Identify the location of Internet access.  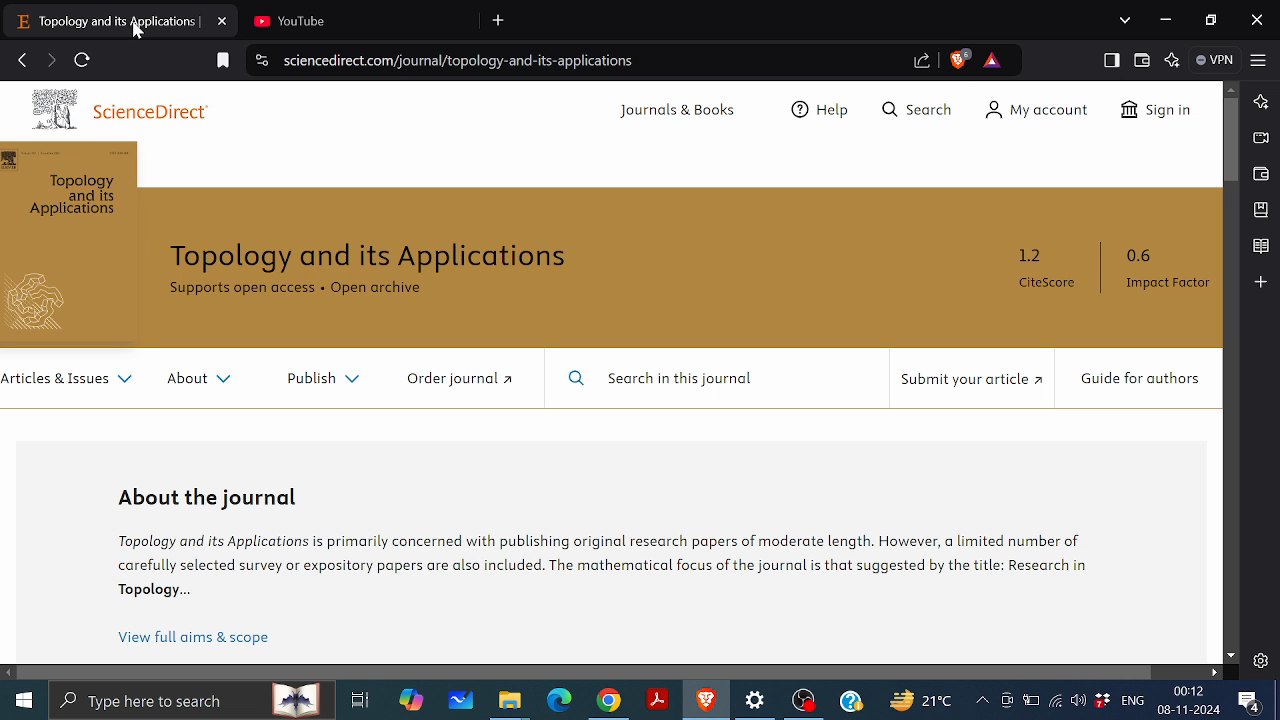
(1054, 700).